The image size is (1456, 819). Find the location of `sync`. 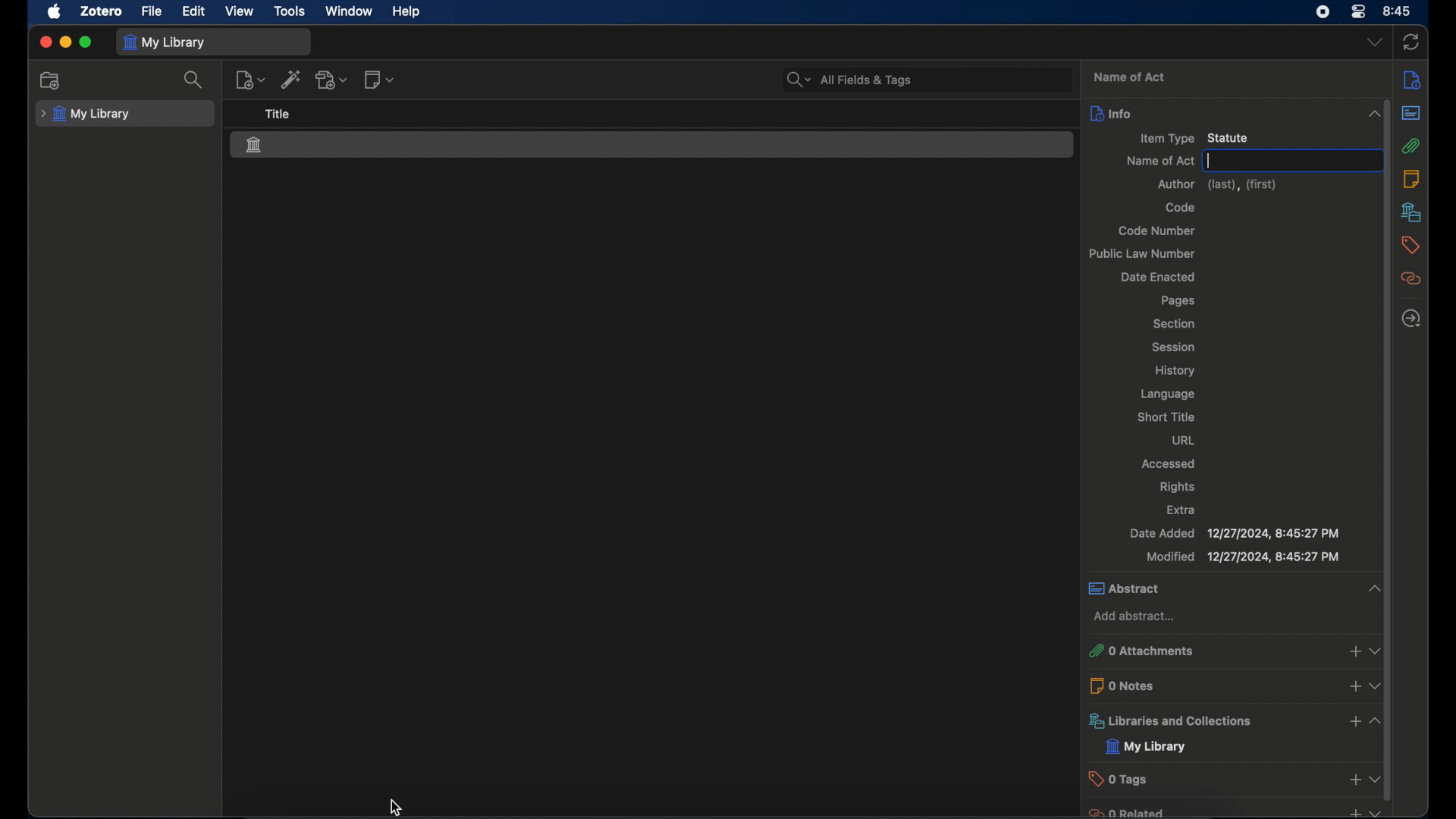

sync is located at coordinates (1412, 42).